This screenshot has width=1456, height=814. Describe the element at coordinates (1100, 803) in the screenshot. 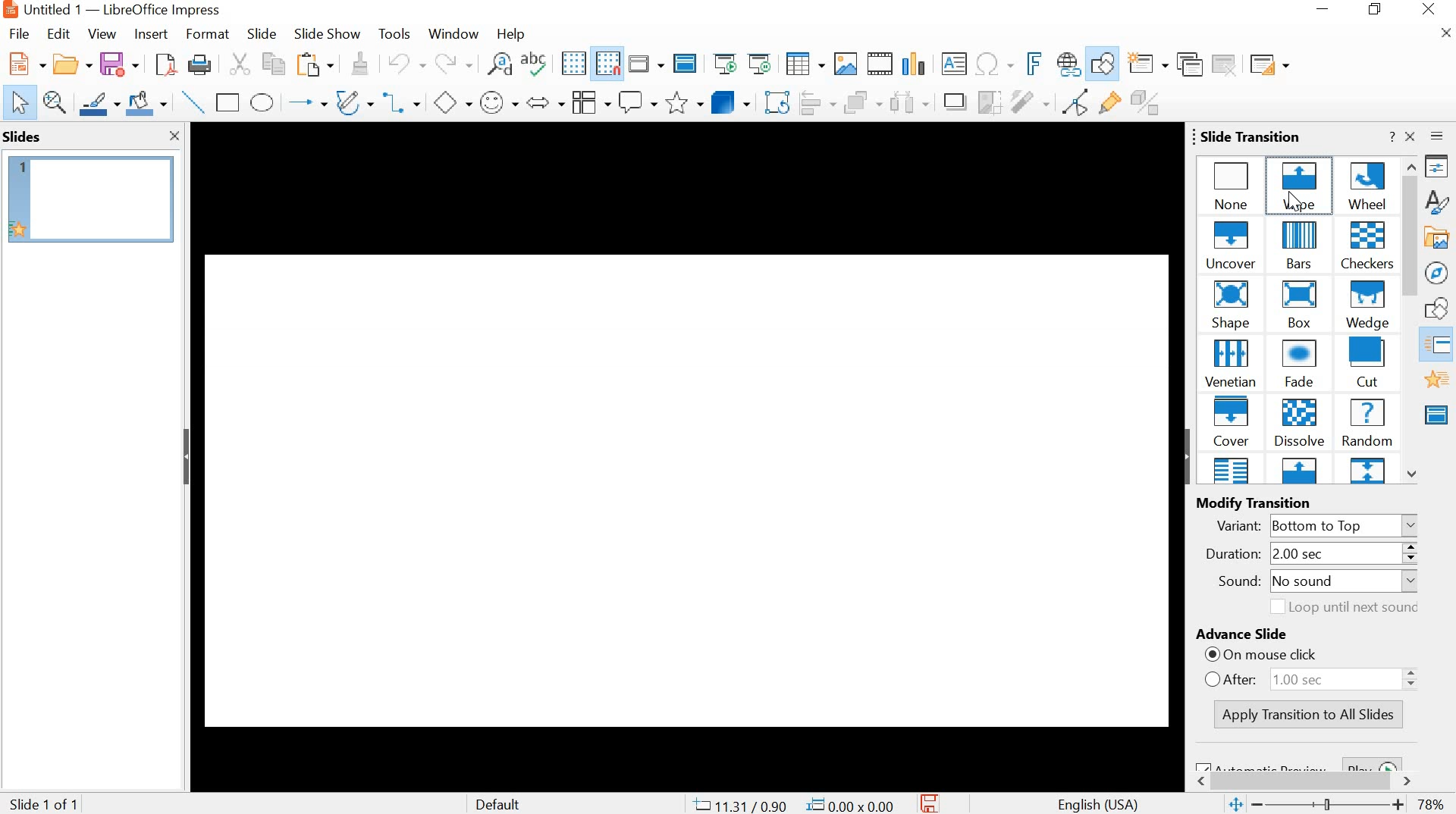

I see `TEXT LANGUAGE` at that location.